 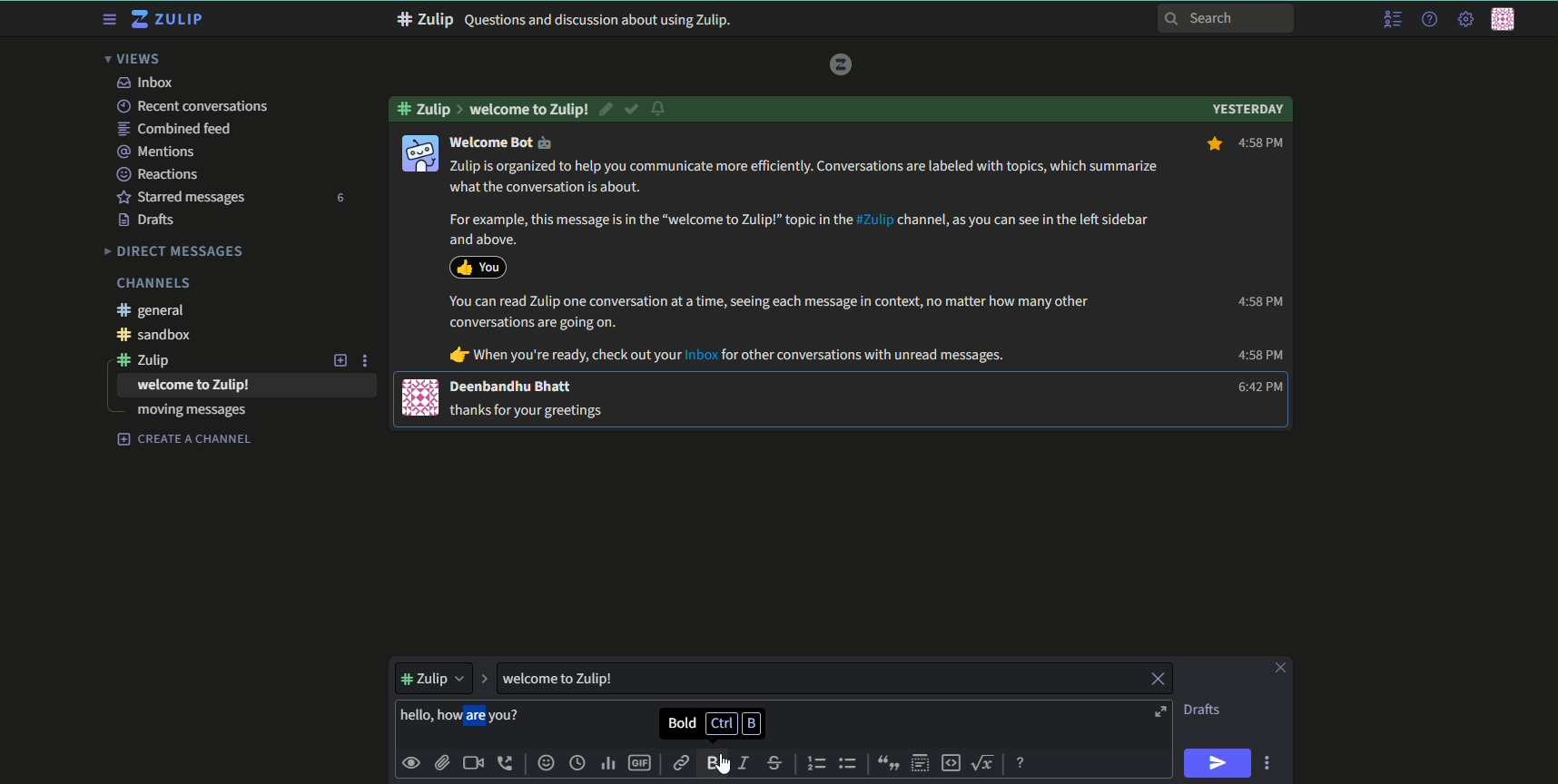 I want to click on close, so click(x=1156, y=680).